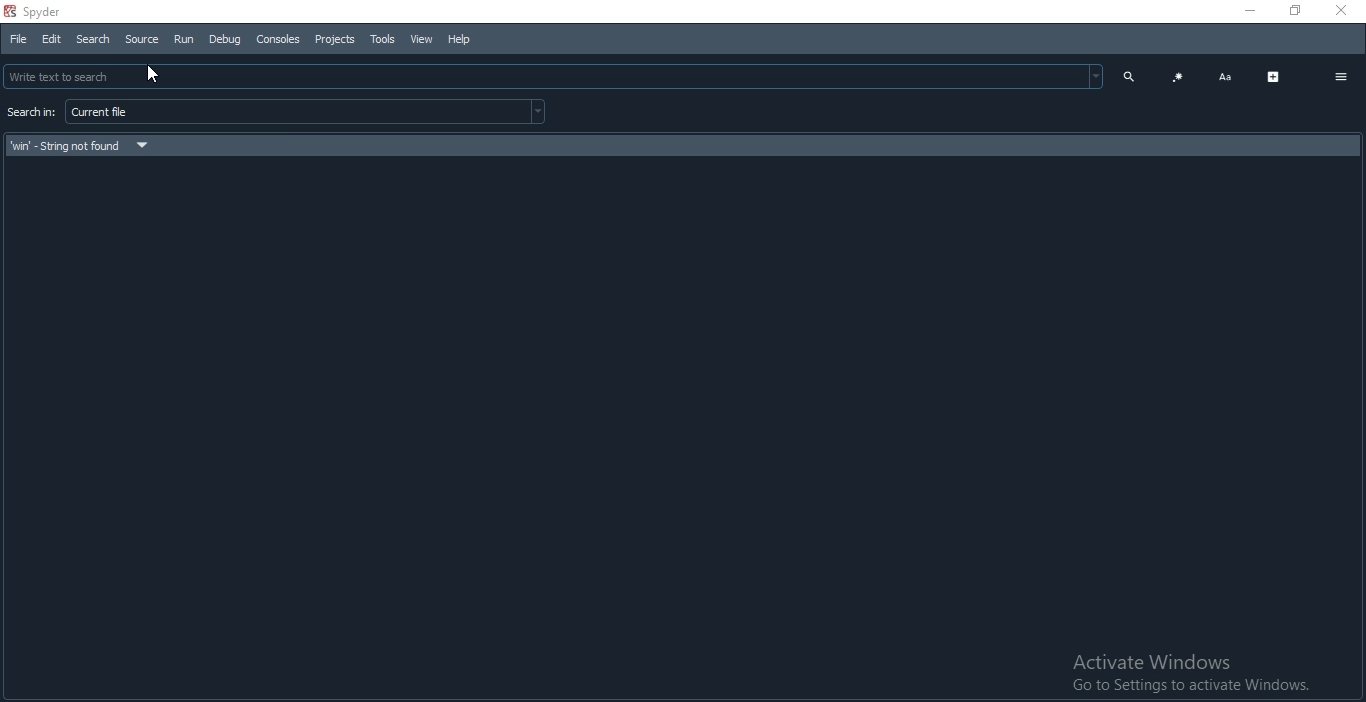 The image size is (1366, 702). Describe the element at coordinates (307, 111) in the screenshot. I see `current file` at that location.